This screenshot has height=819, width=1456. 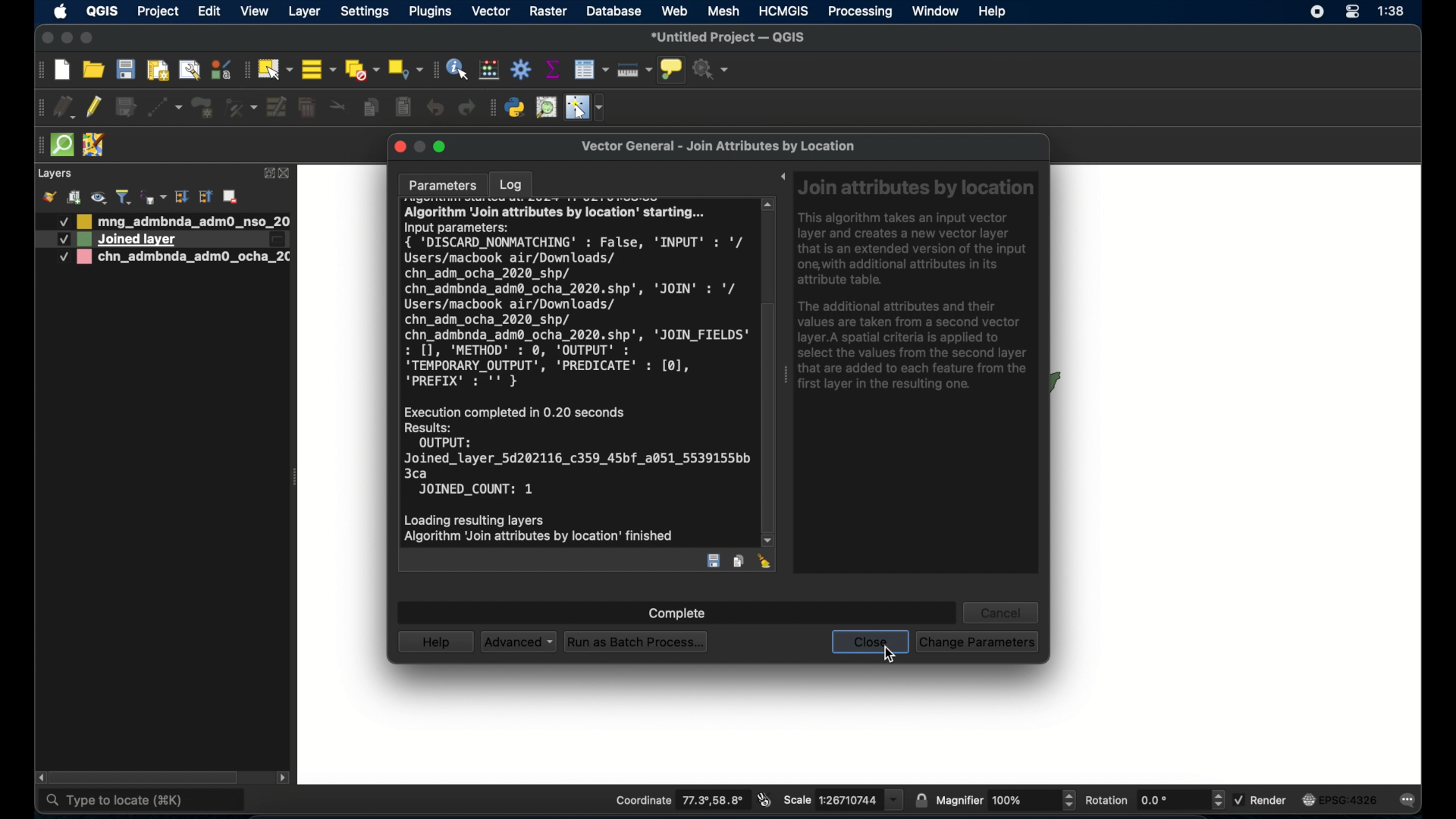 I want to click on help, so click(x=993, y=11).